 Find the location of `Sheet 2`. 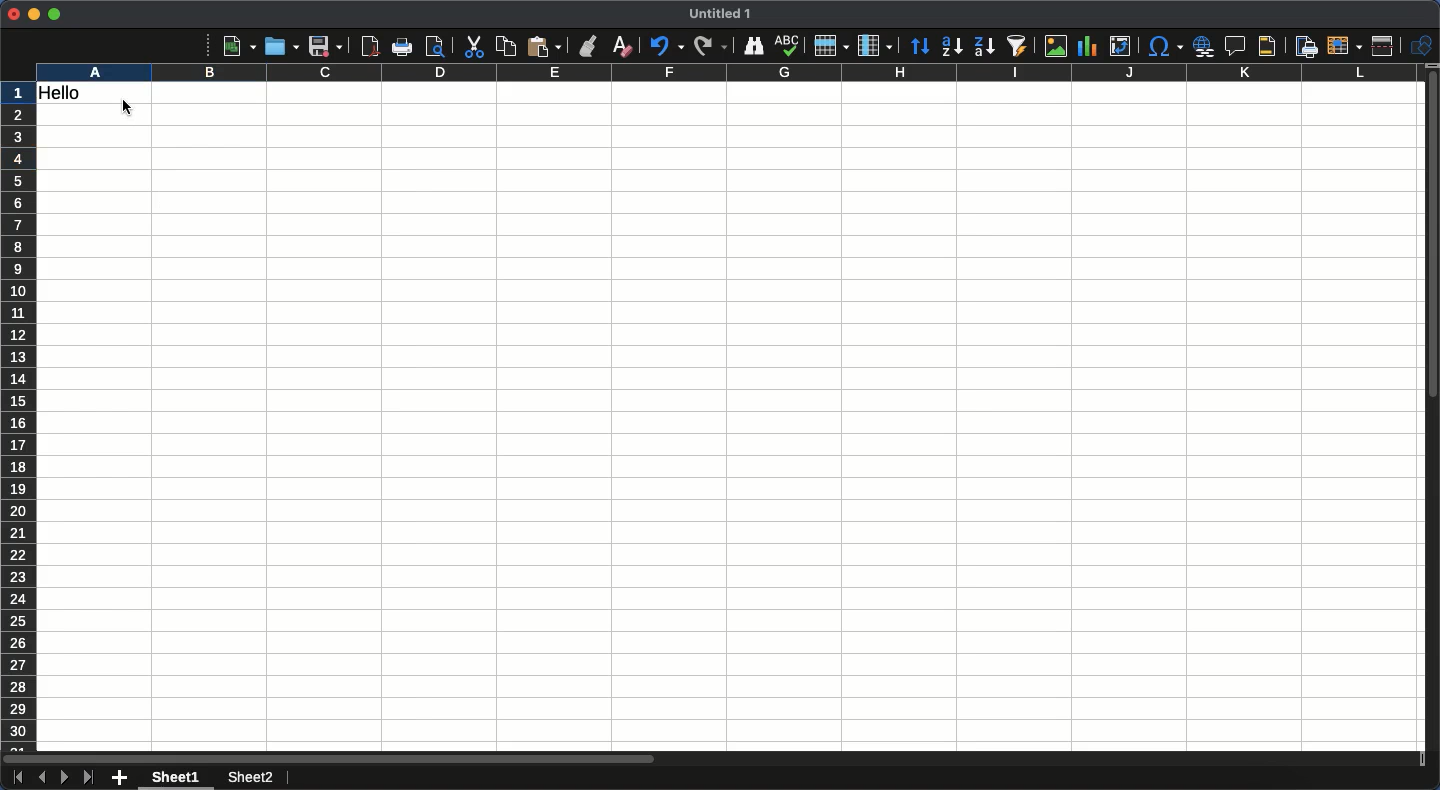

Sheet 2 is located at coordinates (248, 779).